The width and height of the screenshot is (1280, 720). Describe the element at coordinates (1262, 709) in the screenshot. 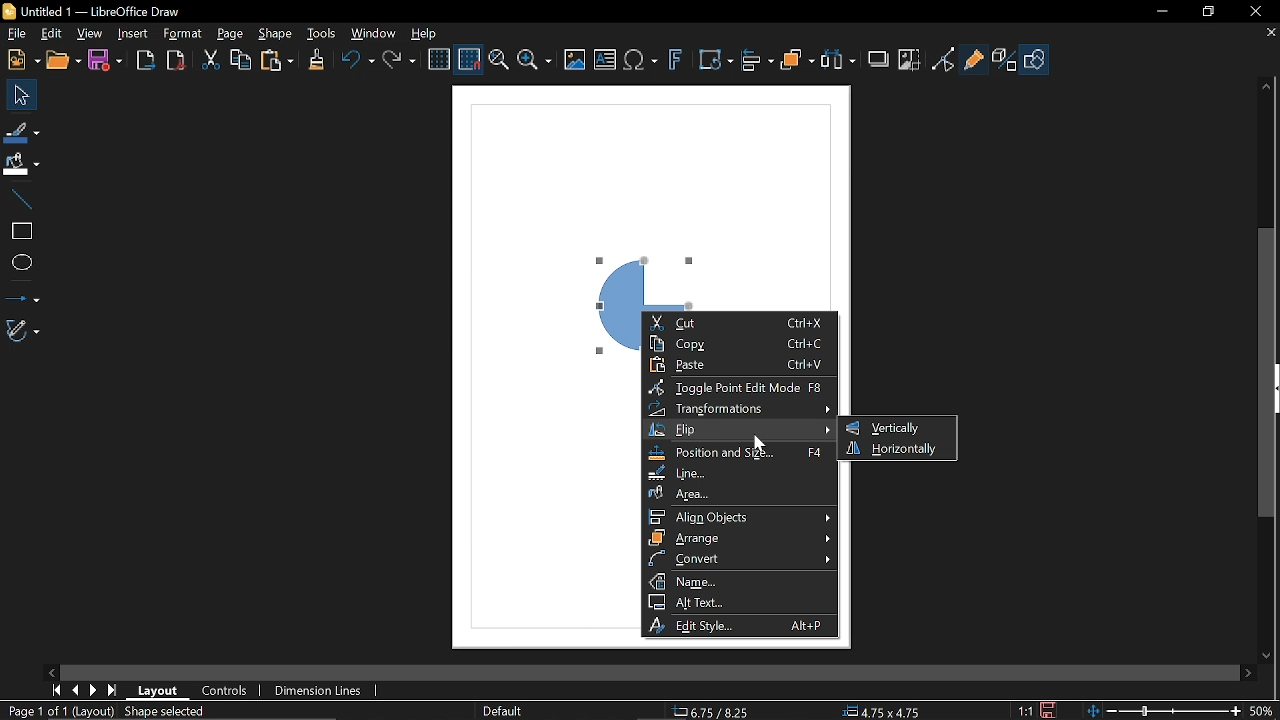

I see `50% (current zoom level)` at that location.